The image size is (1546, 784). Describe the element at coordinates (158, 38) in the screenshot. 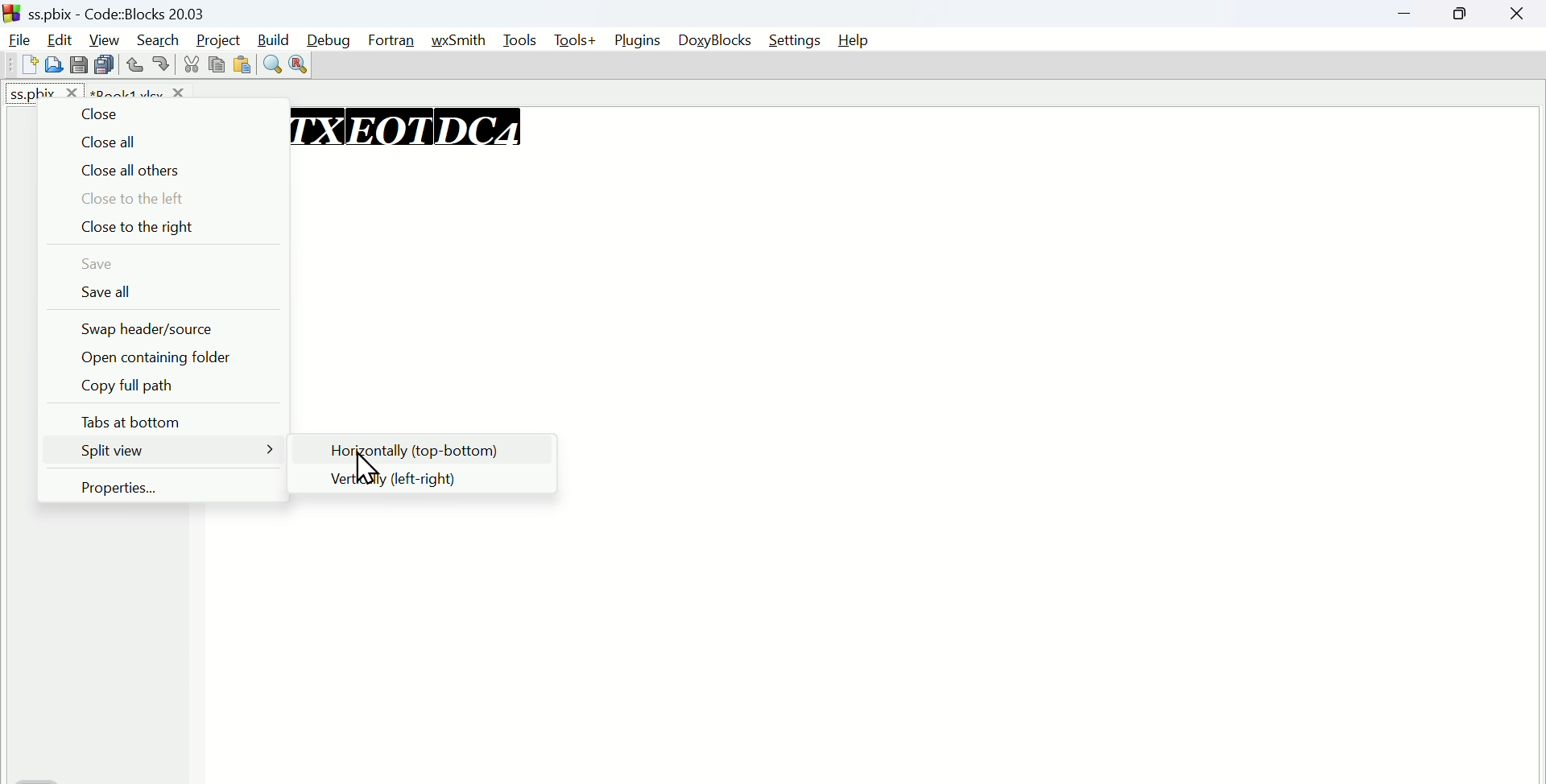

I see `Search` at that location.